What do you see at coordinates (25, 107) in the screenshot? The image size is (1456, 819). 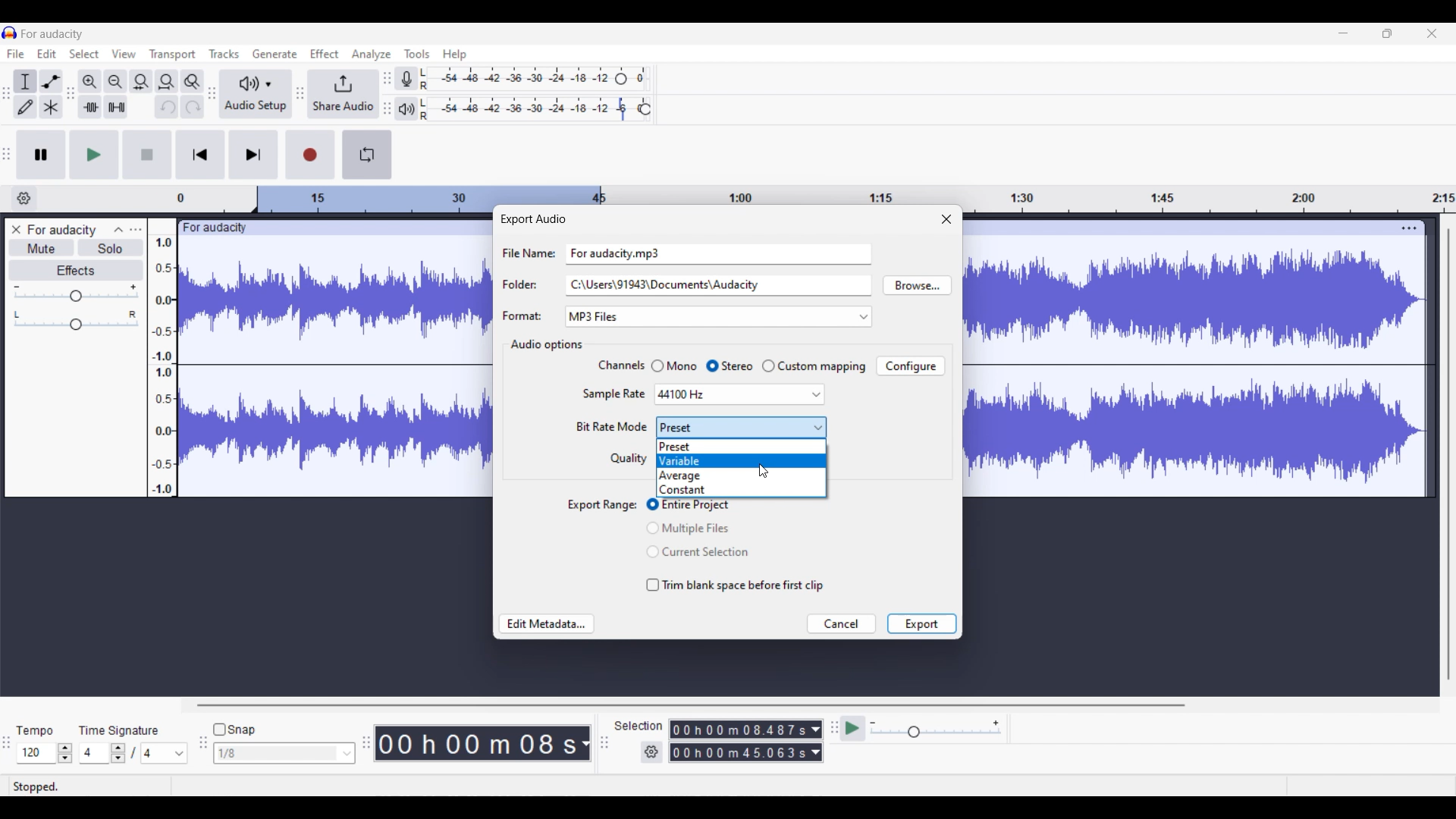 I see `Draw tool` at bounding box center [25, 107].